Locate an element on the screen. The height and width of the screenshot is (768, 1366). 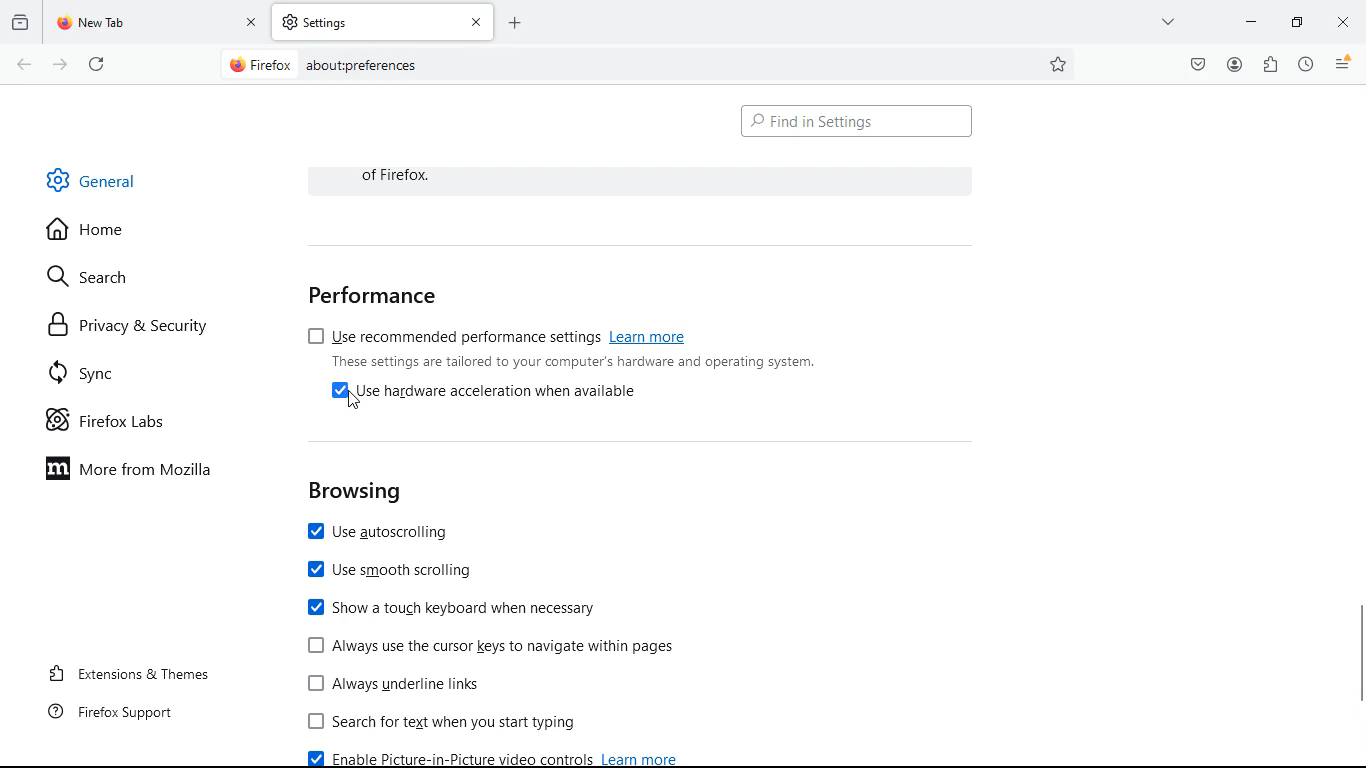
Vertical scroll bar is located at coordinates (1356, 657).